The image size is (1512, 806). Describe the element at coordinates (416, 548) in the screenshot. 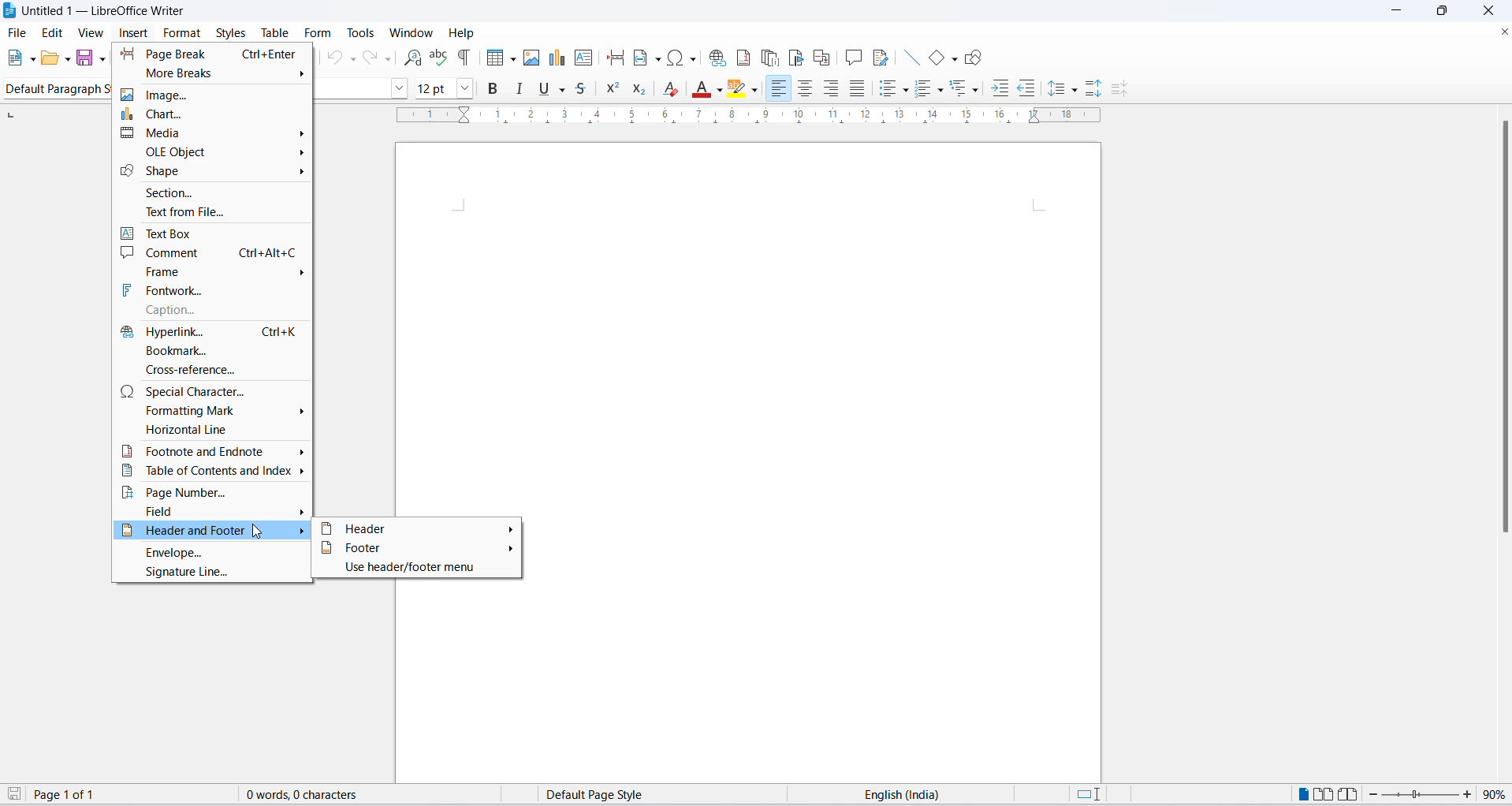

I see `footer` at that location.